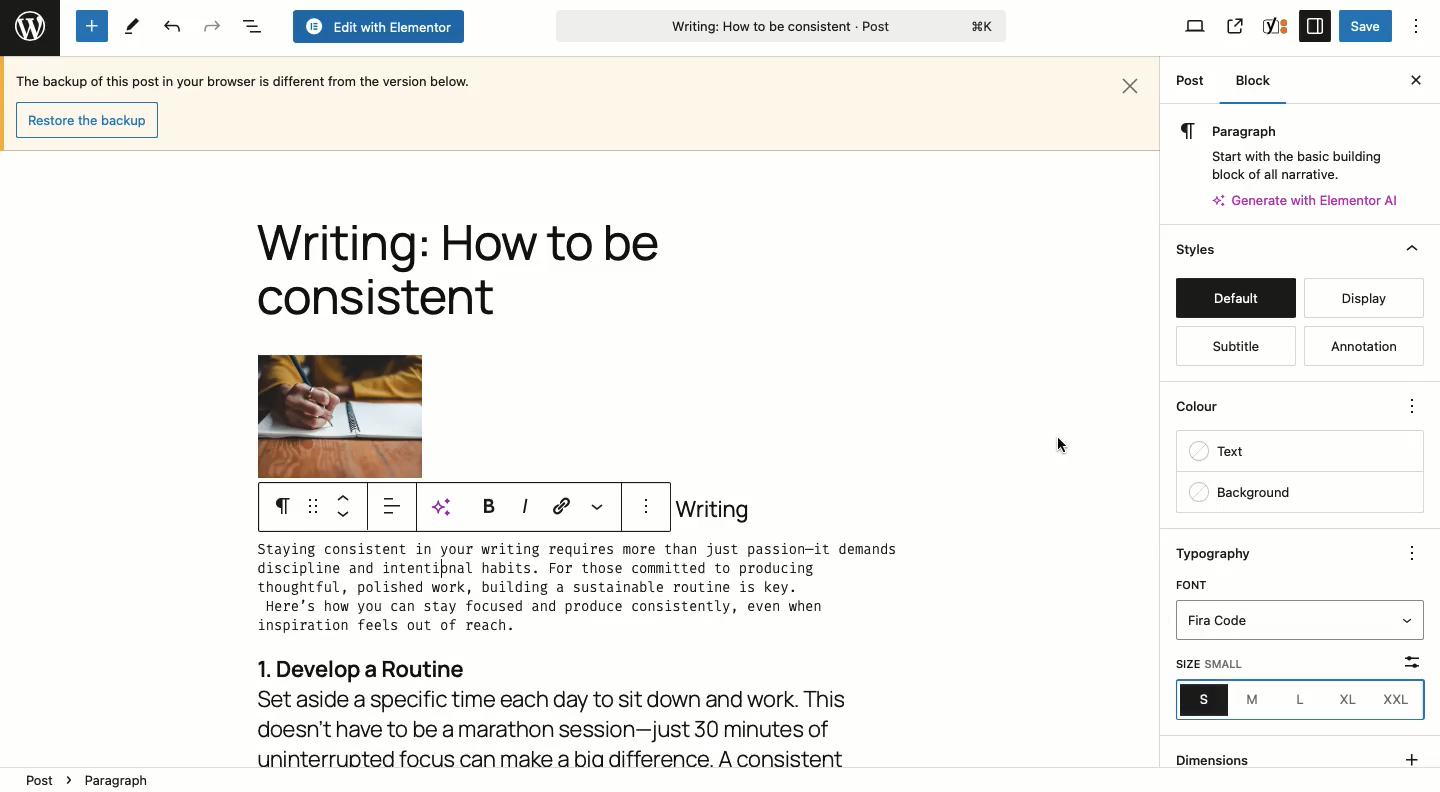  Describe the element at coordinates (713, 509) in the screenshot. I see `Writing` at that location.